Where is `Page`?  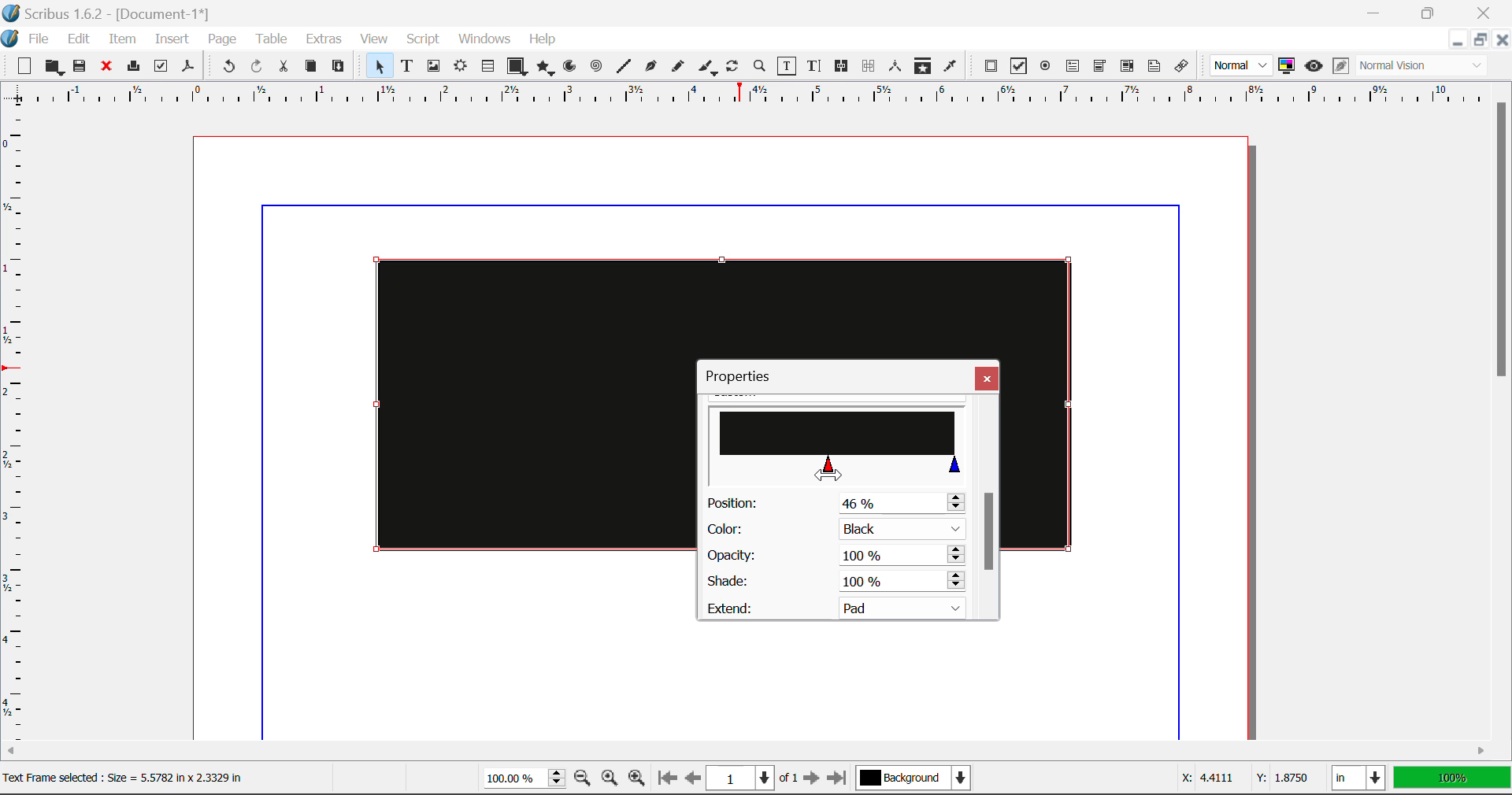
Page is located at coordinates (221, 40).